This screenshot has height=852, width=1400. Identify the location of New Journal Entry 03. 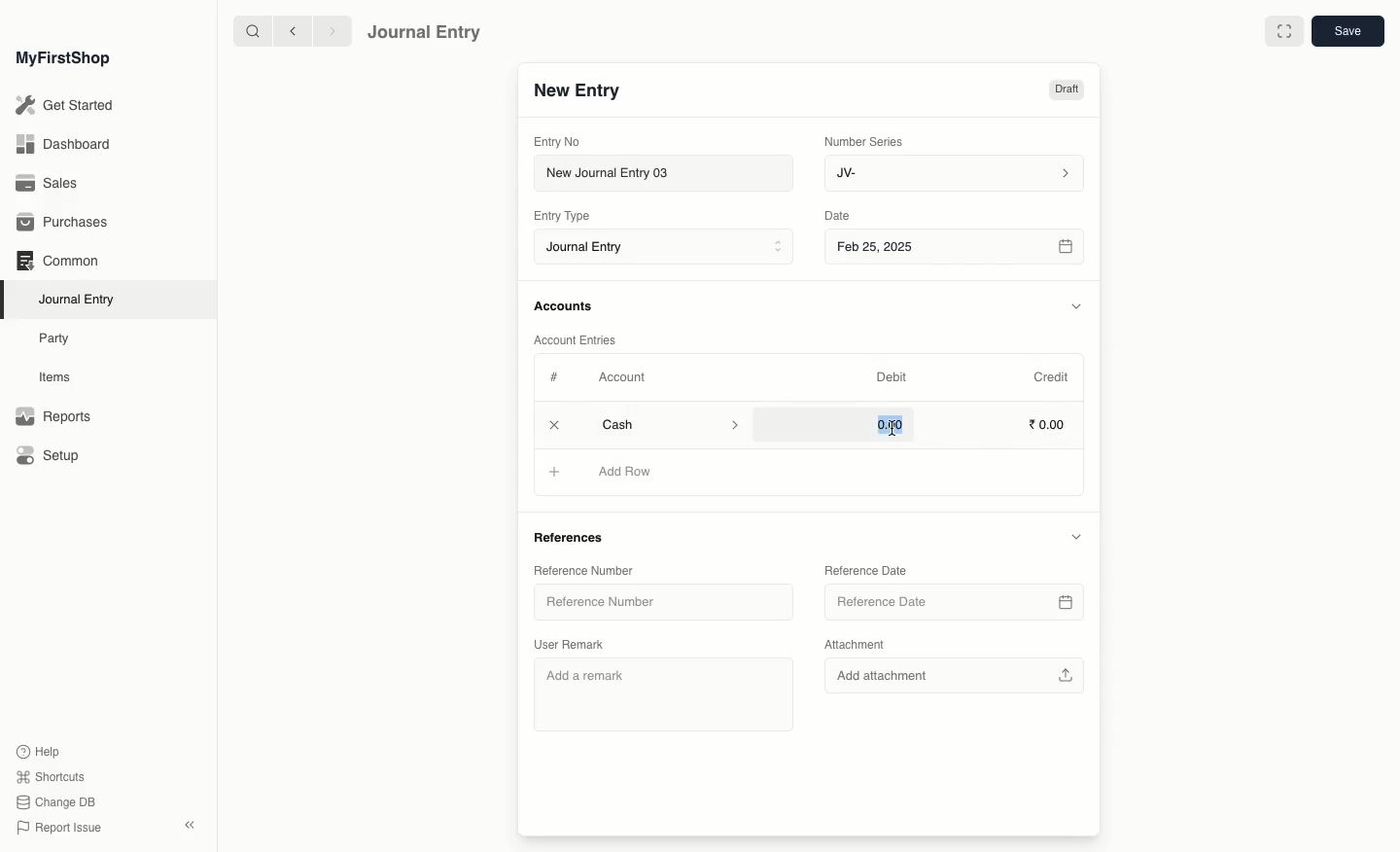
(669, 174).